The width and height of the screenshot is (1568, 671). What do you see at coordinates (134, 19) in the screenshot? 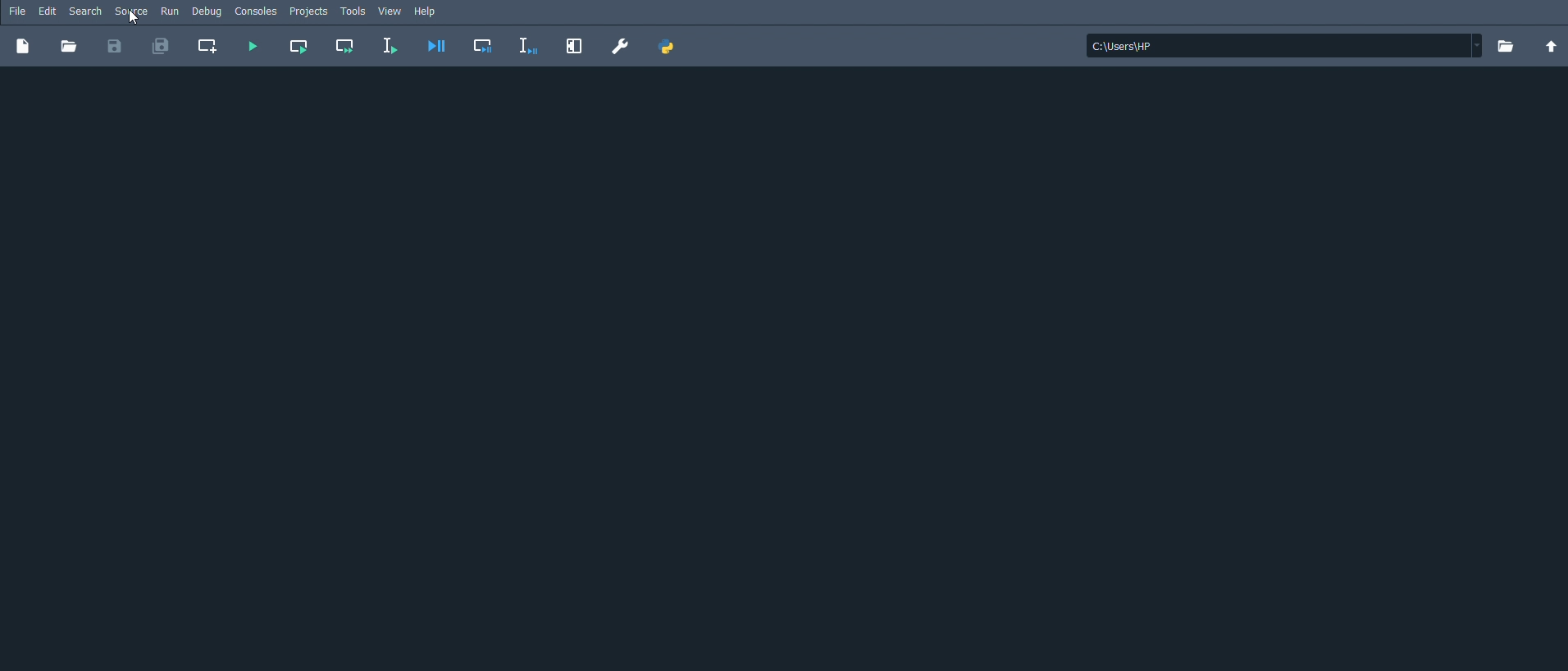
I see `Source` at bounding box center [134, 19].